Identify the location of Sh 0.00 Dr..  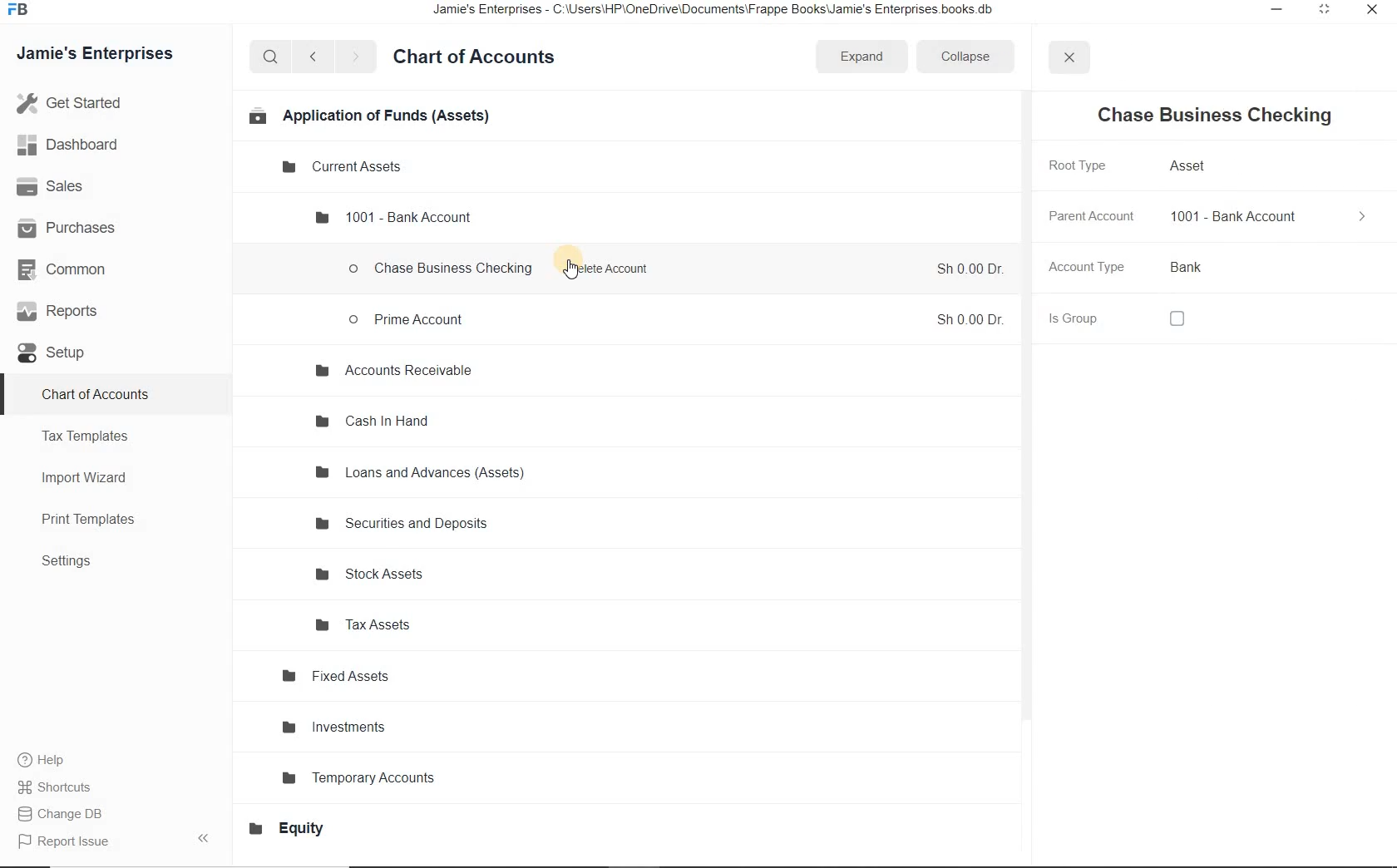
(968, 321).